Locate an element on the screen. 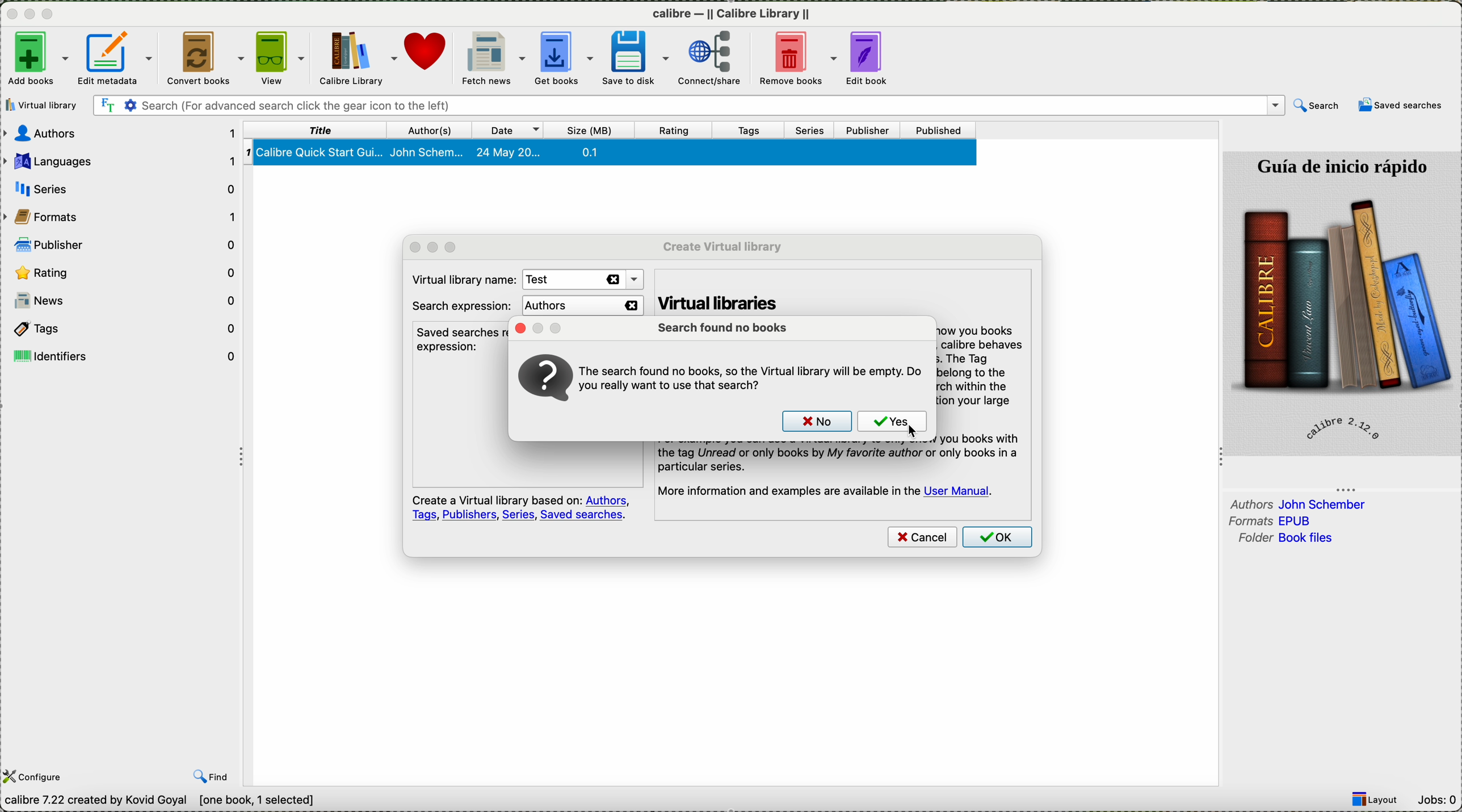 Image resolution: width=1462 pixels, height=812 pixels. create virtual library is located at coordinates (722, 245).